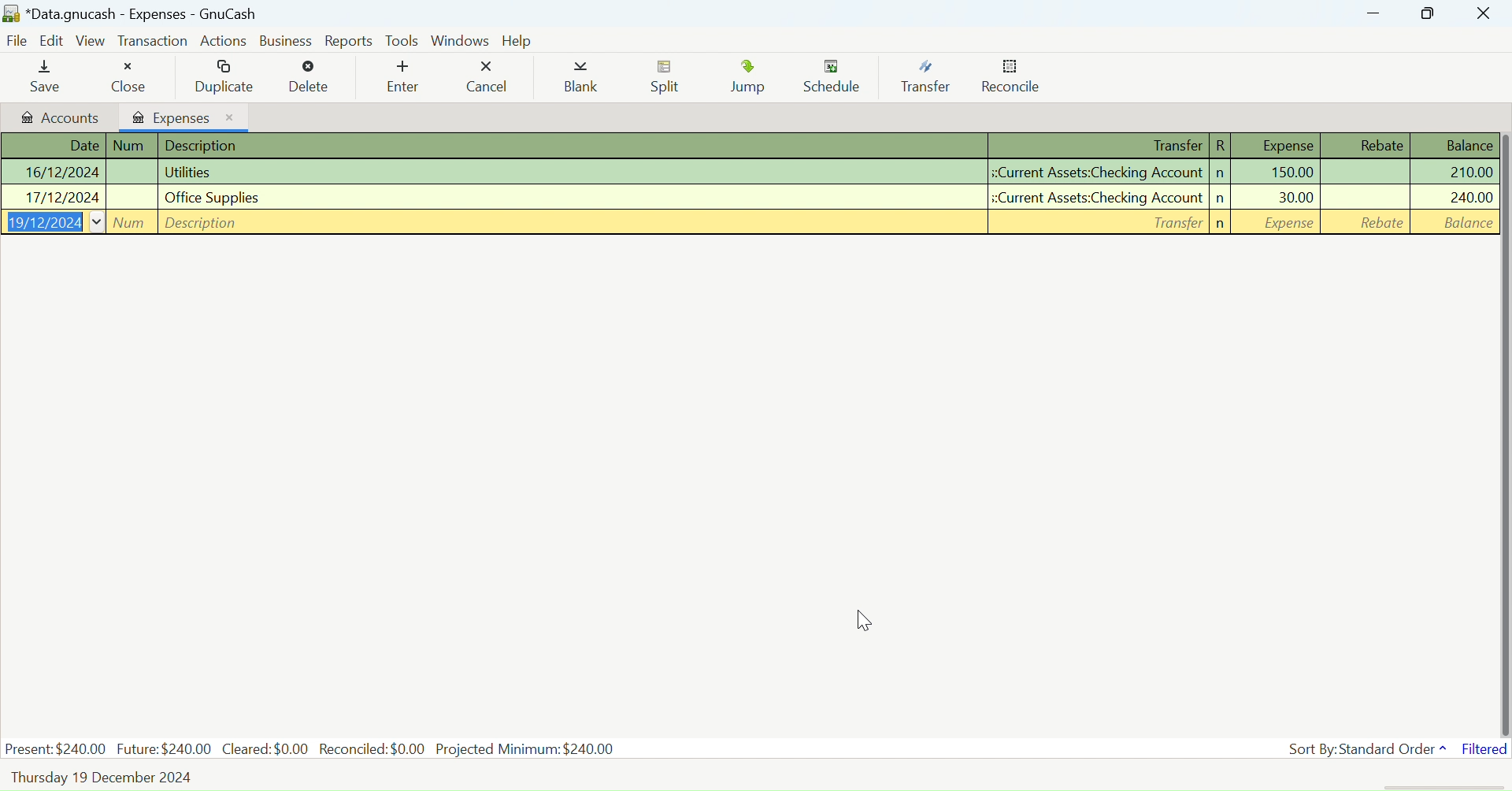 The width and height of the screenshot is (1512, 791). What do you see at coordinates (837, 77) in the screenshot?
I see `Schedule` at bounding box center [837, 77].